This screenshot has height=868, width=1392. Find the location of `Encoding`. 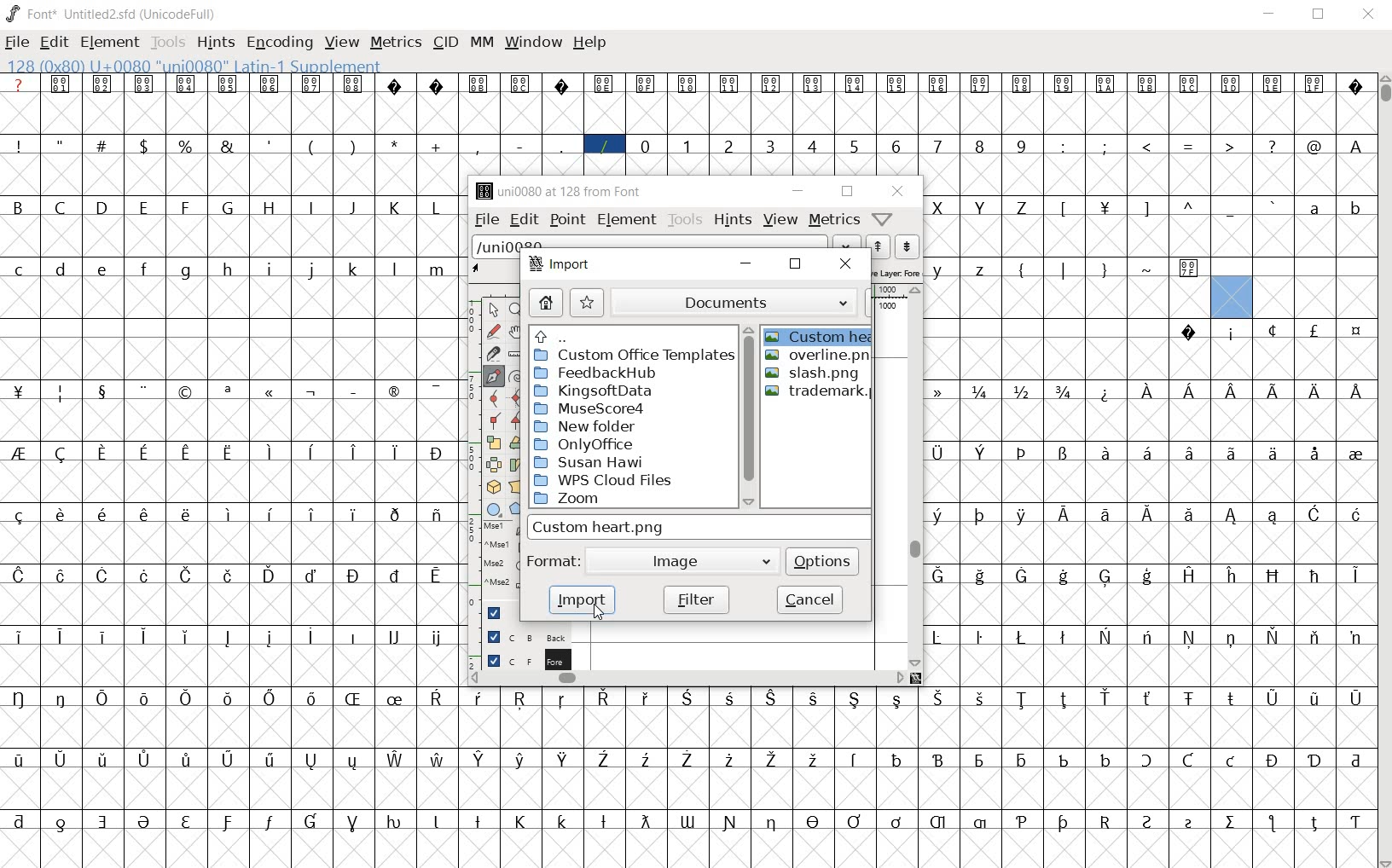

Encoding is located at coordinates (181, 12).